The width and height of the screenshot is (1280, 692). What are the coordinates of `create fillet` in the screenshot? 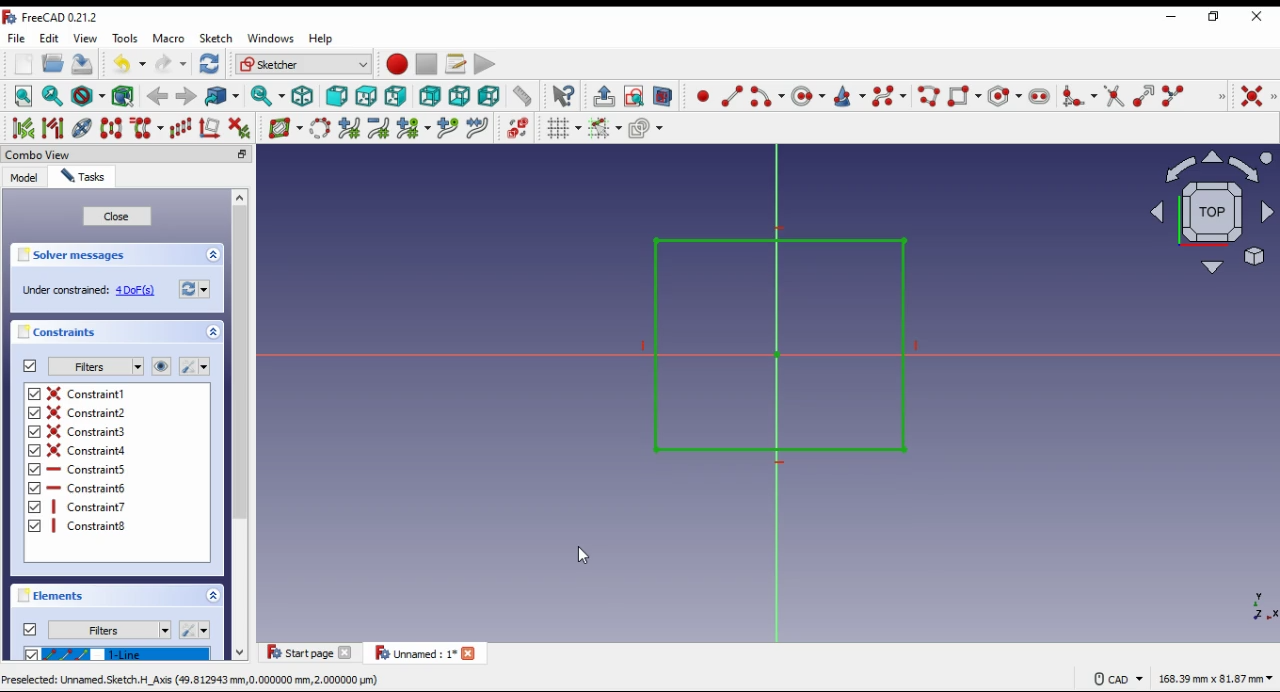 It's located at (1079, 96).